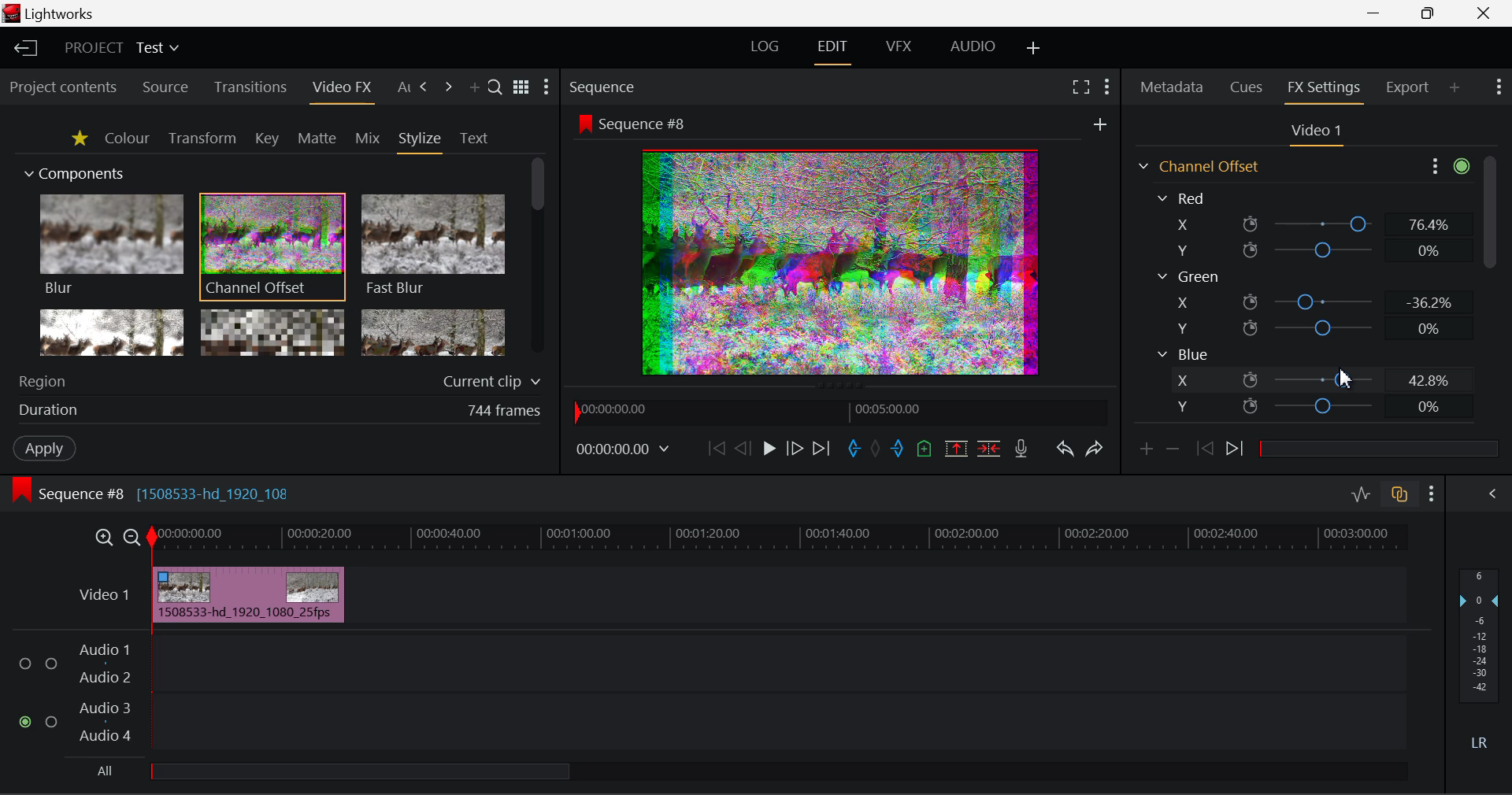 The height and width of the screenshot is (795, 1512). Describe the element at coordinates (1483, 14) in the screenshot. I see `Close` at that location.